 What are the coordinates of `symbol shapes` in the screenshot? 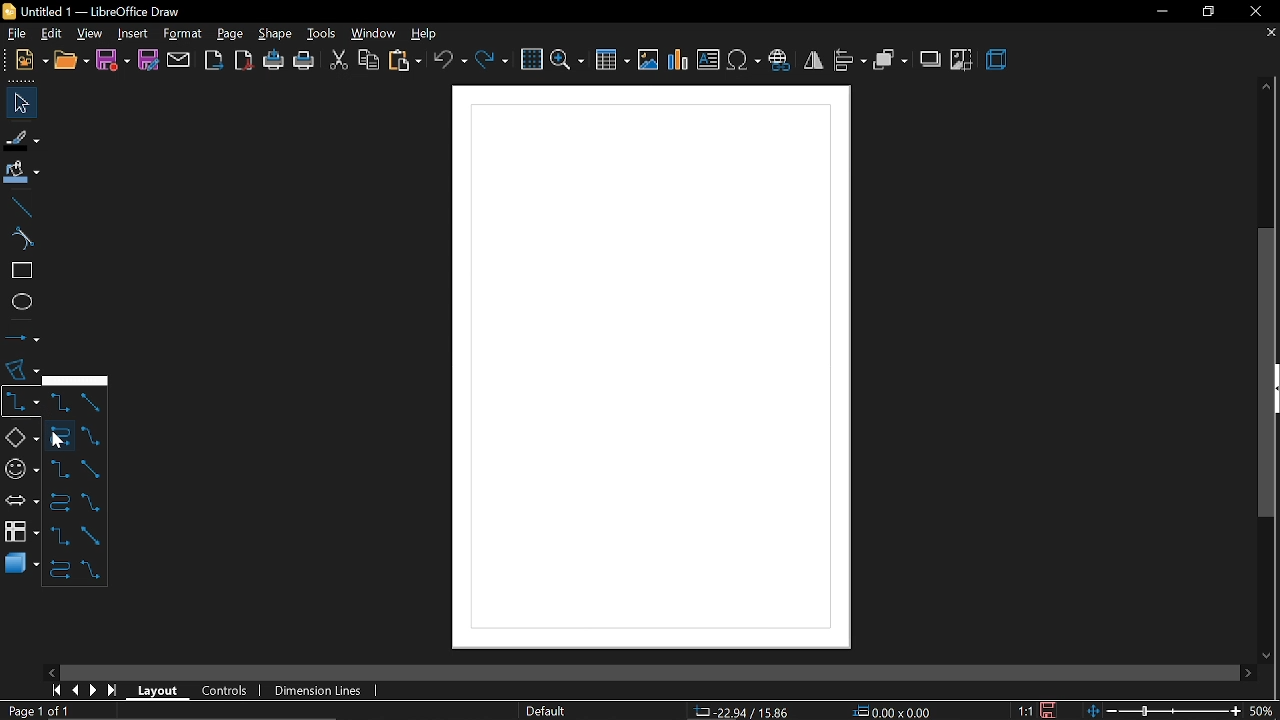 It's located at (20, 466).